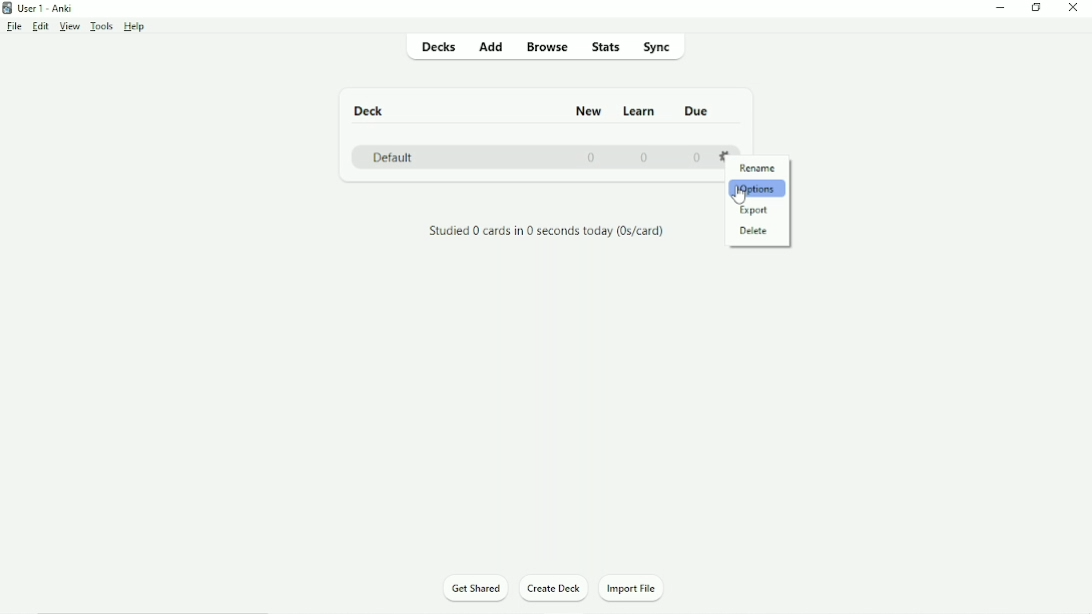 This screenshot has height=614, width=1092. Describe the element at coordinates (392, 156) in the screenshot. I see `Default` at that location.